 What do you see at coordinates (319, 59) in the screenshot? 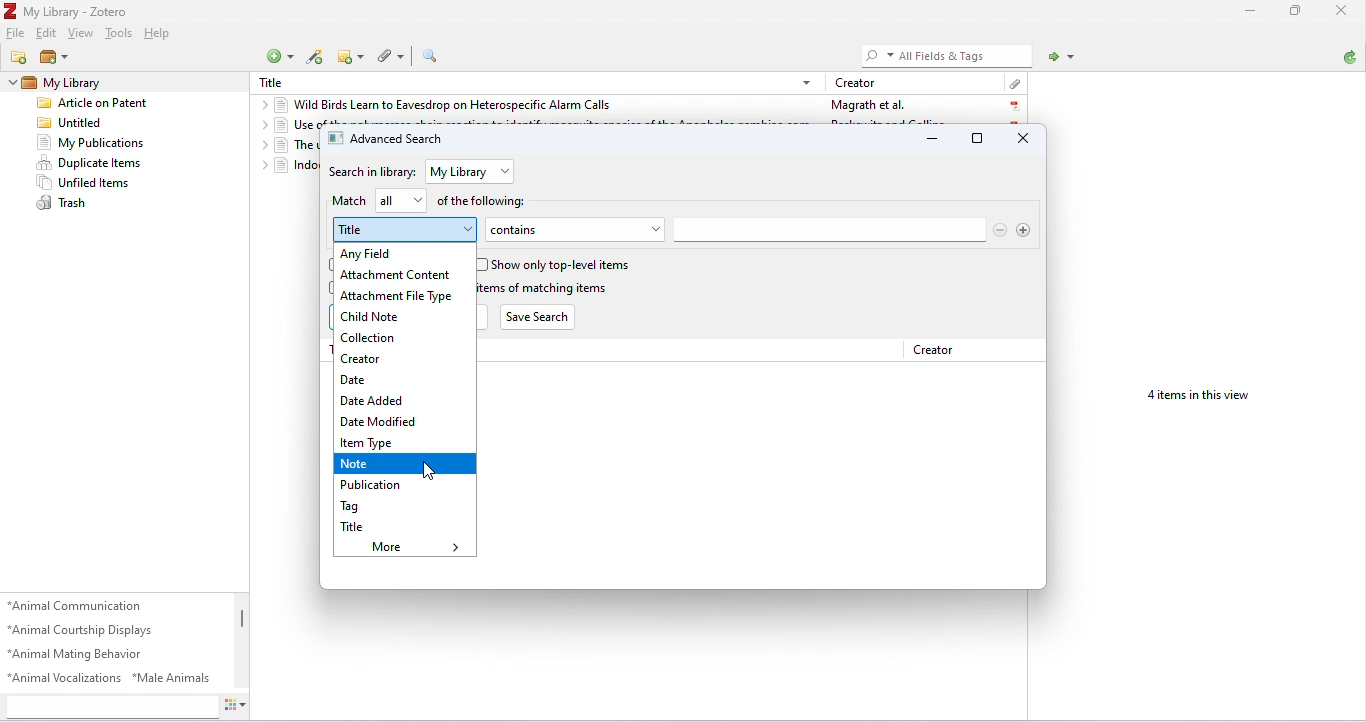
I see `add items by identifier` at bounding box center [319, 59].